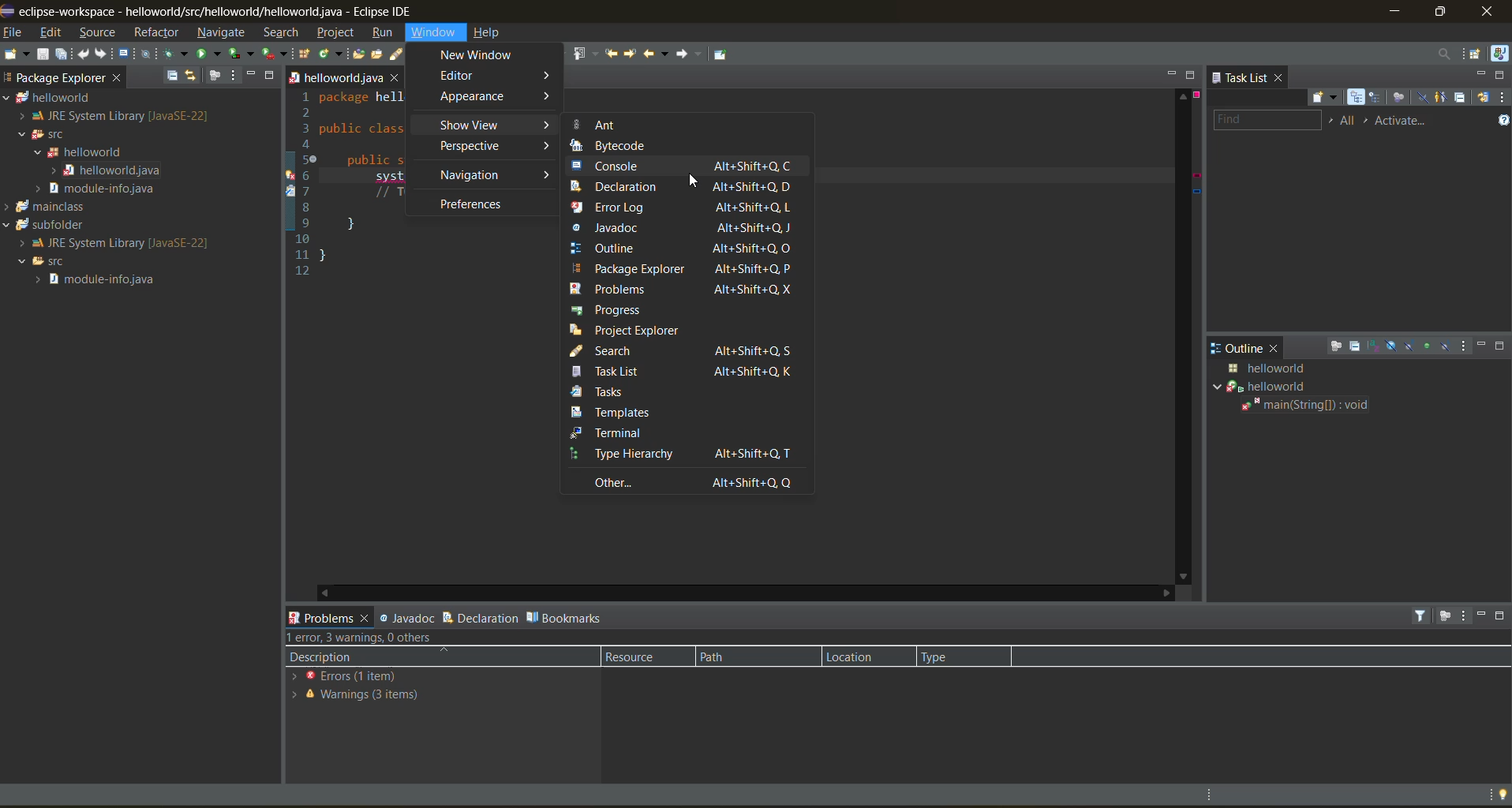  I want to click on view menu, so click(1503, 99).